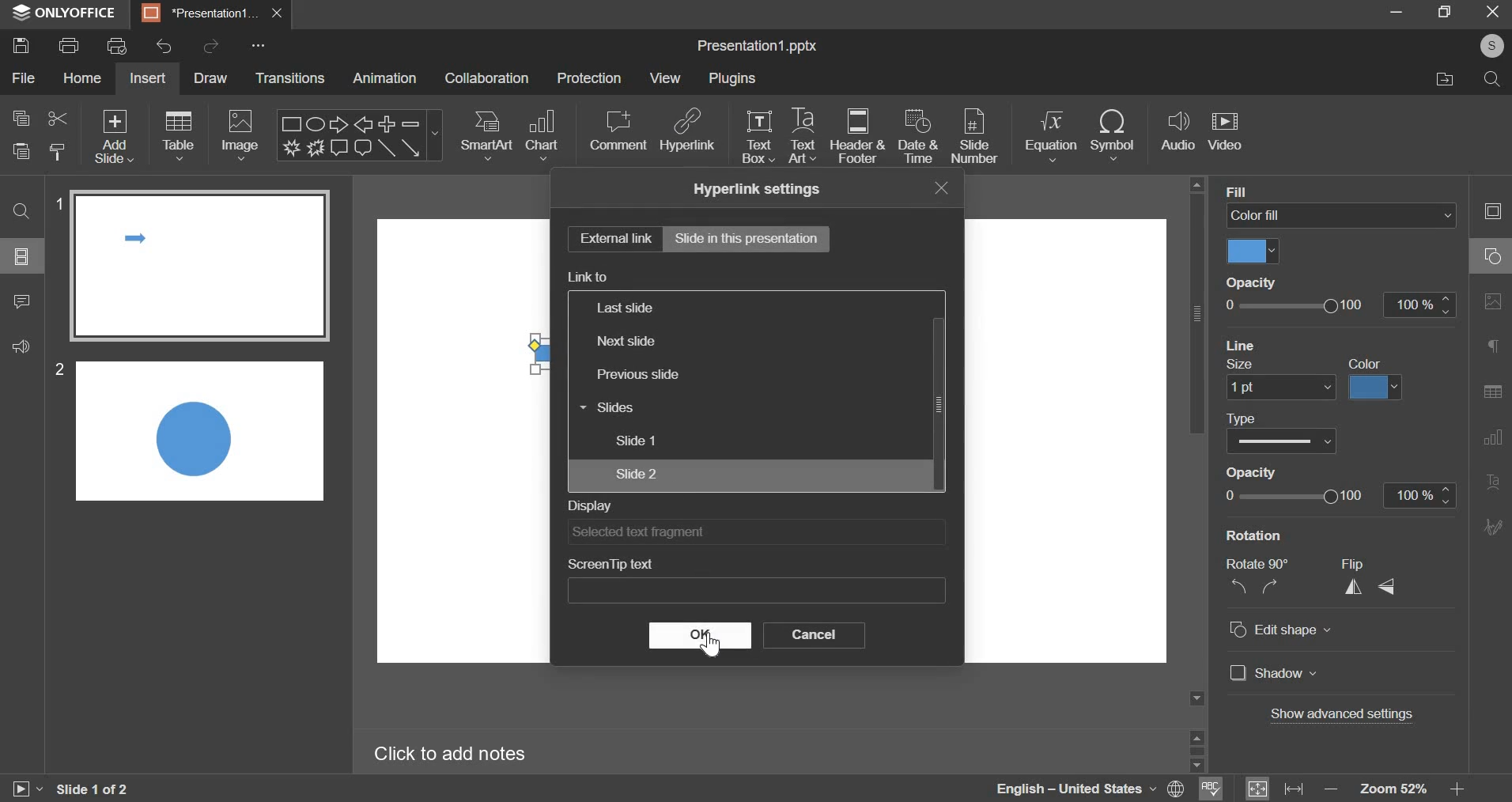 The image size is (1512, 802). What do you see at coordinates (1237, 587) in the screenshot?
I see `rotate anti-clockwise` at bounding box center [1237, 587].